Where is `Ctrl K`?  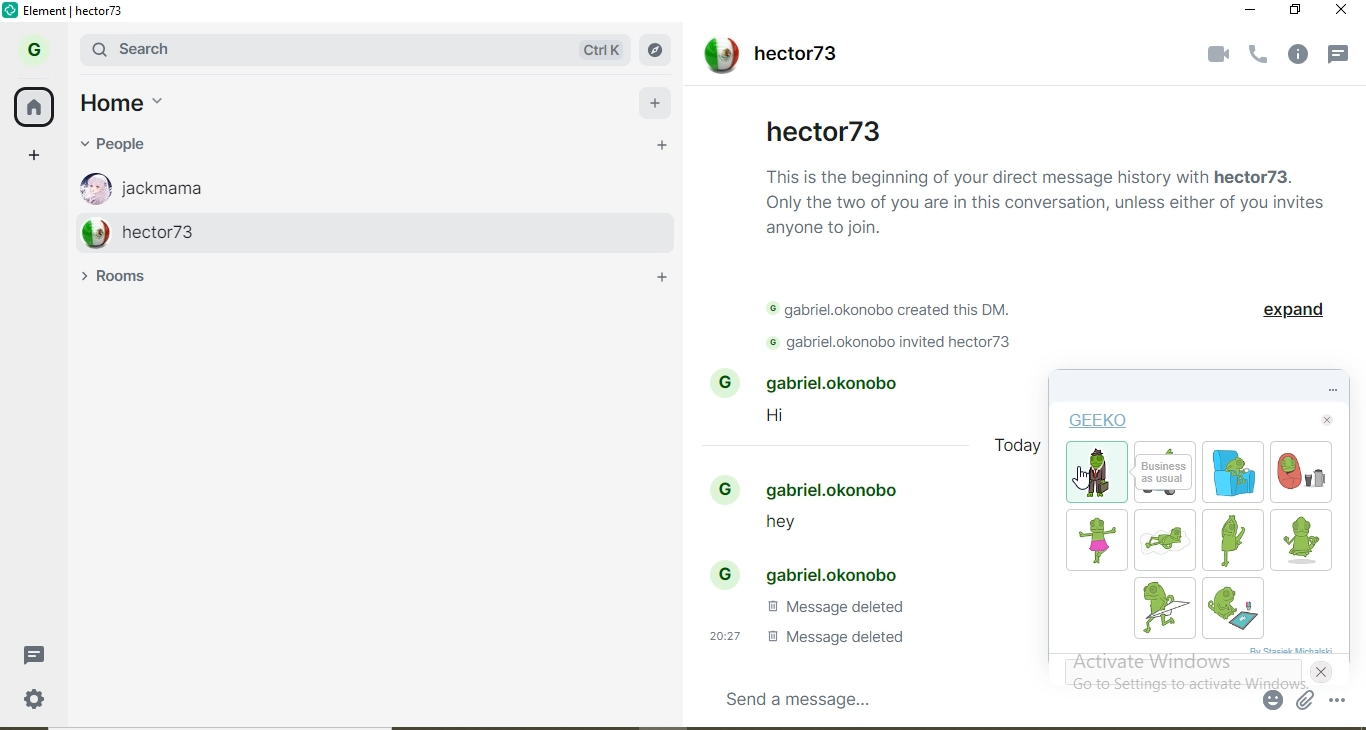 Ctrl K is located at coordinates (602, 50).